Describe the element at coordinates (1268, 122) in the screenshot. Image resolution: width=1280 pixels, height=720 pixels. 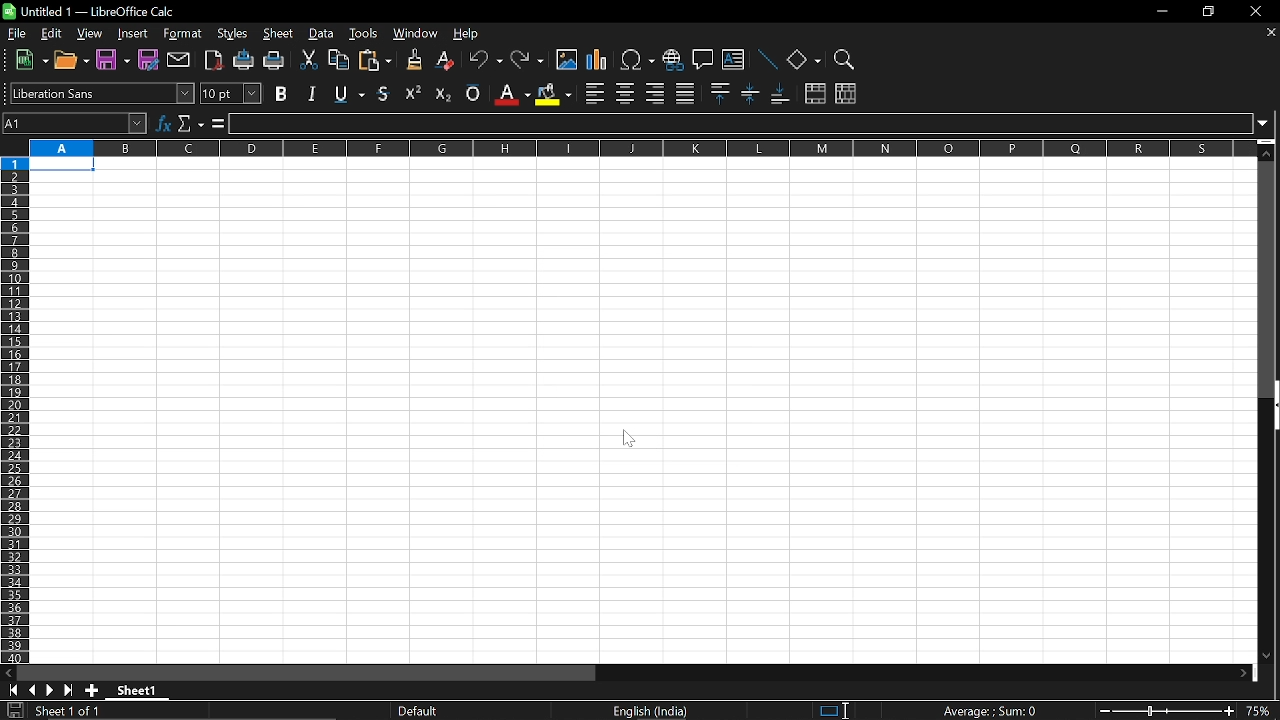
I see `expand formula bar` at that location.